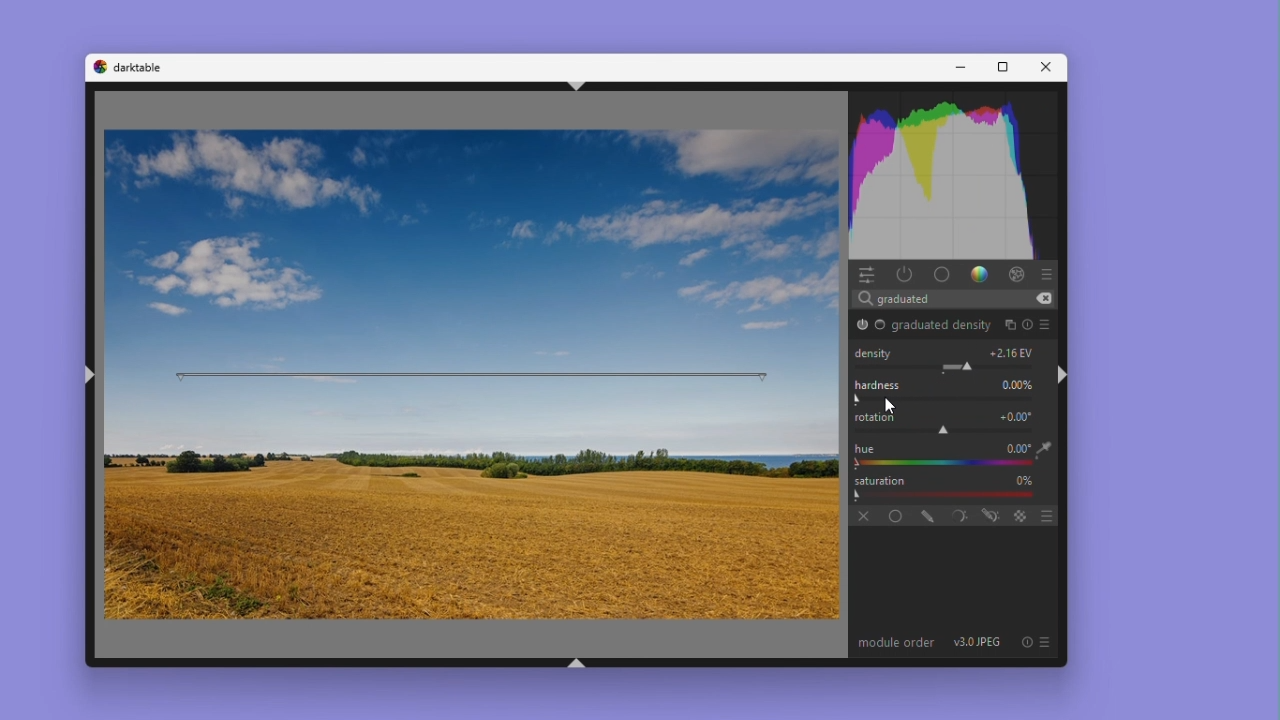  I want to click on drawn and parametric mask, so click(988, 515).